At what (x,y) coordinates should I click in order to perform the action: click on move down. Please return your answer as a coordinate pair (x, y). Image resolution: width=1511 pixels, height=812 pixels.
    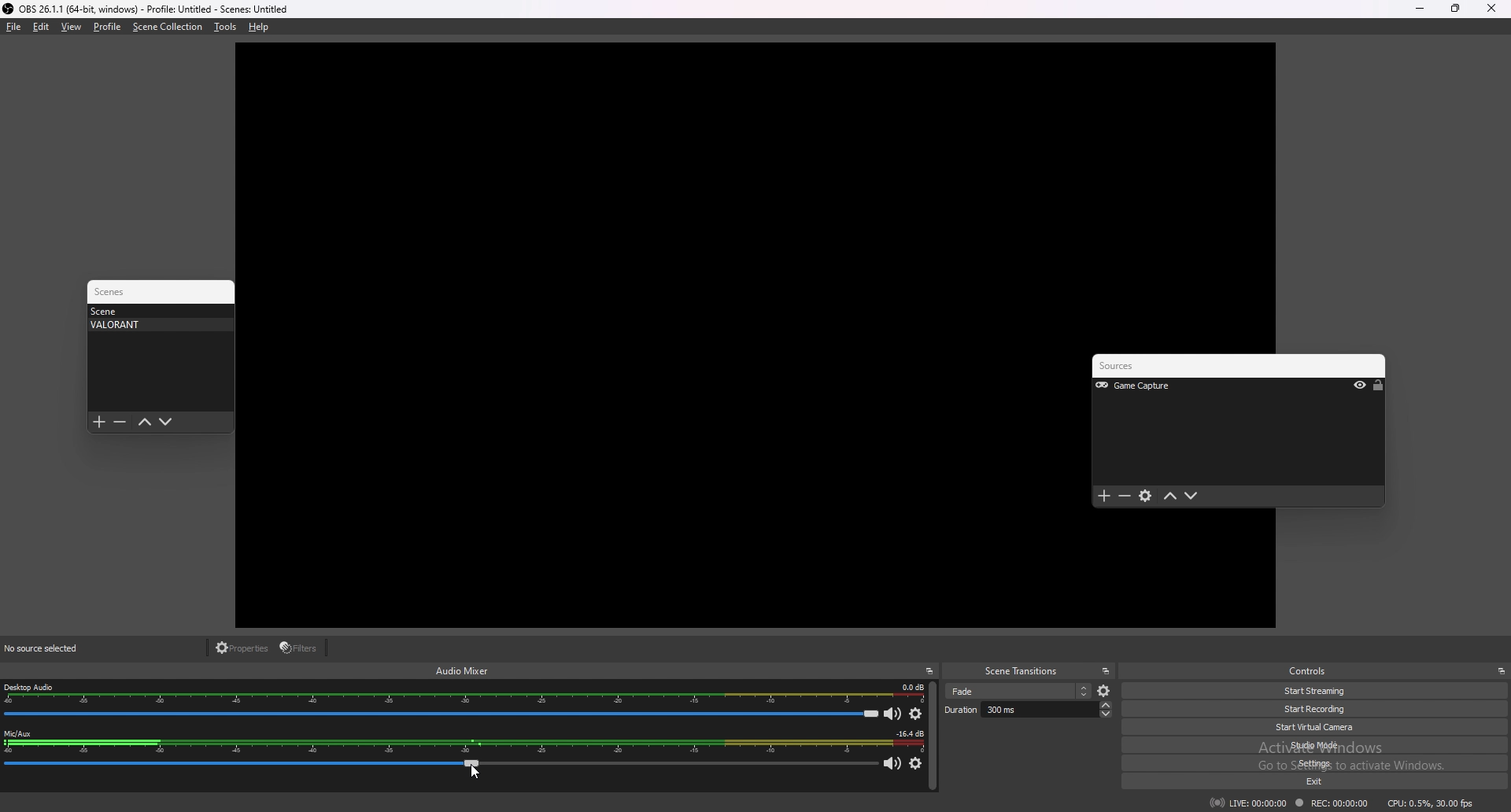
    Looking at the image, I should click on (1191, 496).